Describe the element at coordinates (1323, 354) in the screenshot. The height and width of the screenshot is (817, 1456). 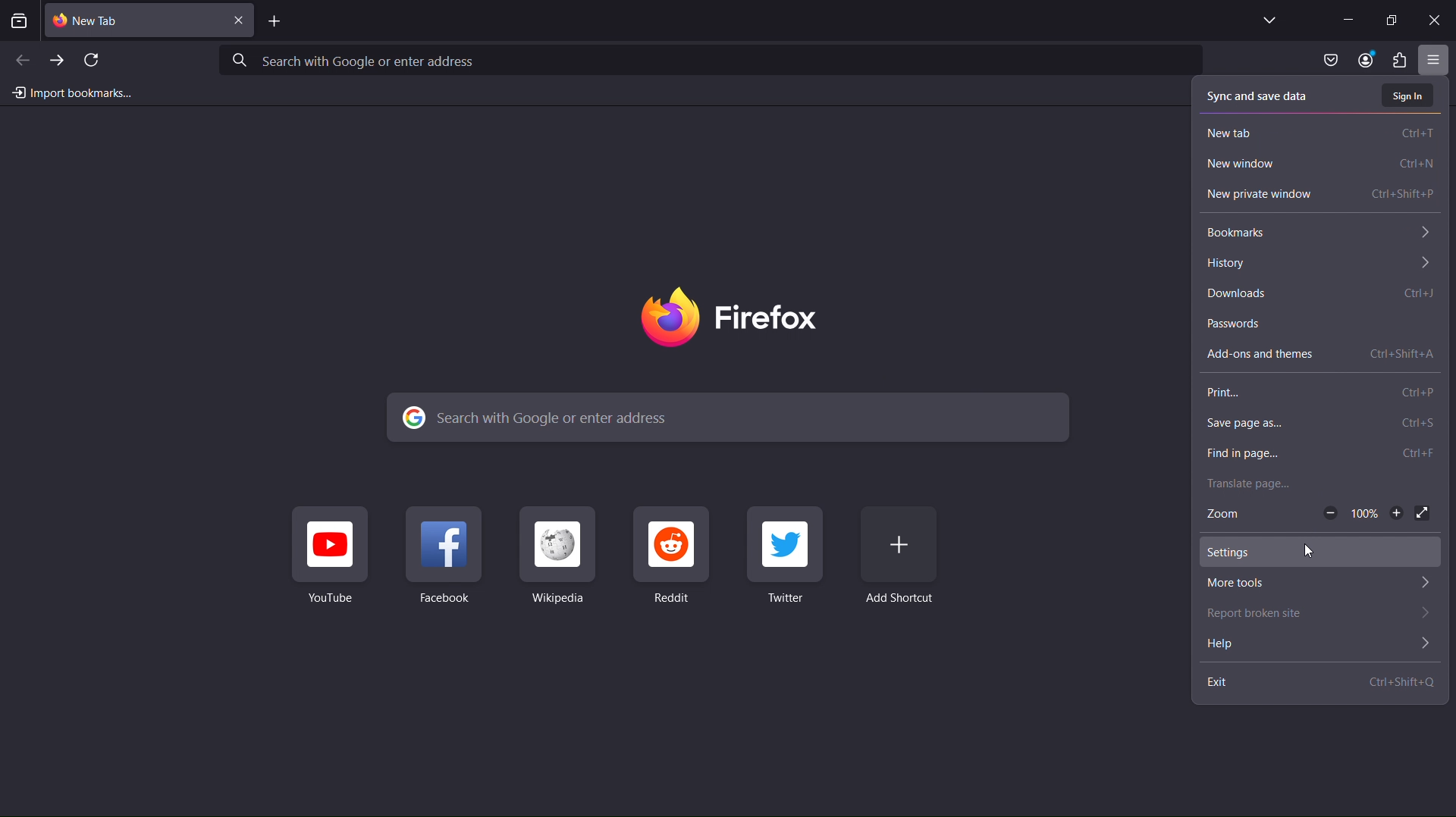
I see `Addons and themes` at that location.